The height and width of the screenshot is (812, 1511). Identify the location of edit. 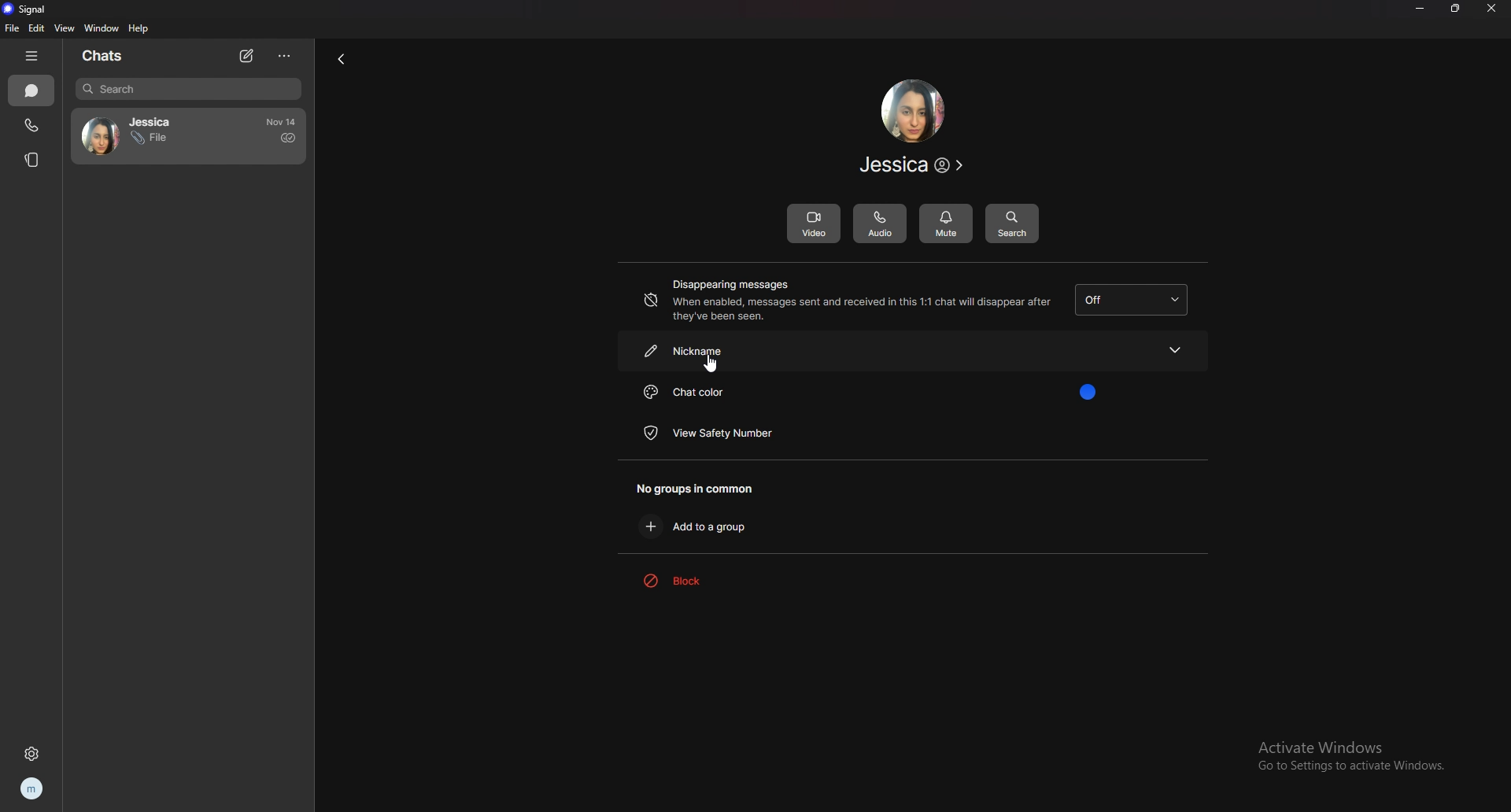
(36, 28).